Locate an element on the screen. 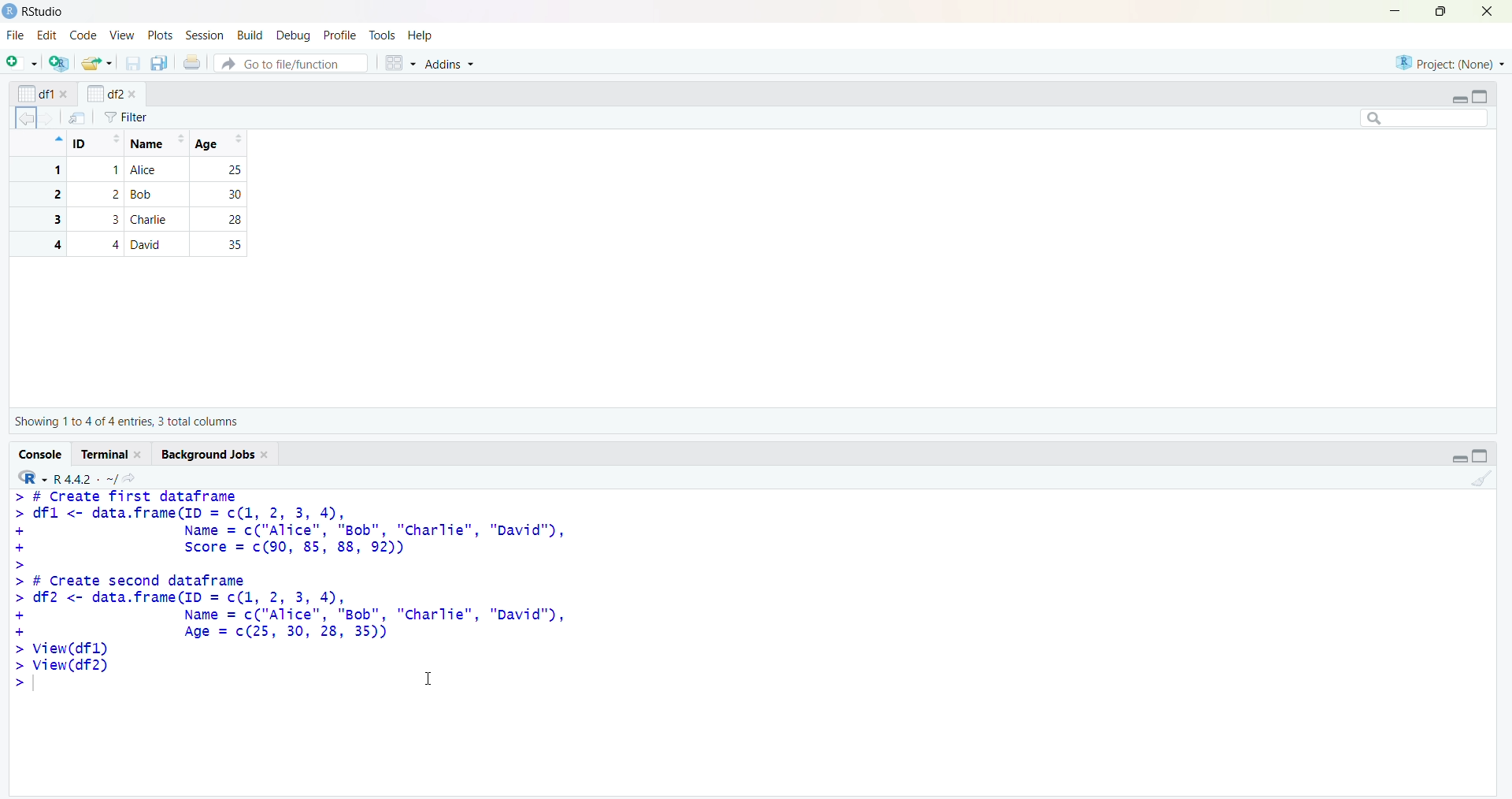 The width and height of the screenshot is (1512, 799). 3 3 Charlie 28 is located at coordinates (135, 219).